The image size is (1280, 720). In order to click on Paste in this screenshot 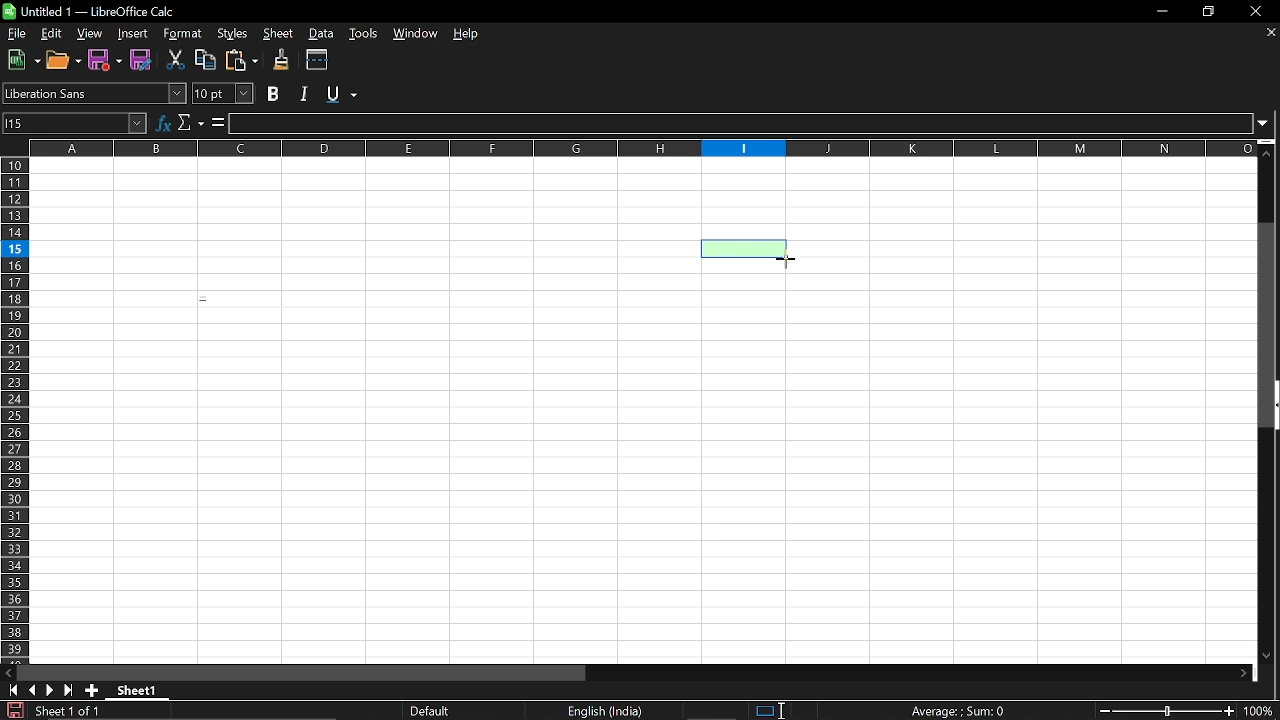, I will do `click(243, 60)`.